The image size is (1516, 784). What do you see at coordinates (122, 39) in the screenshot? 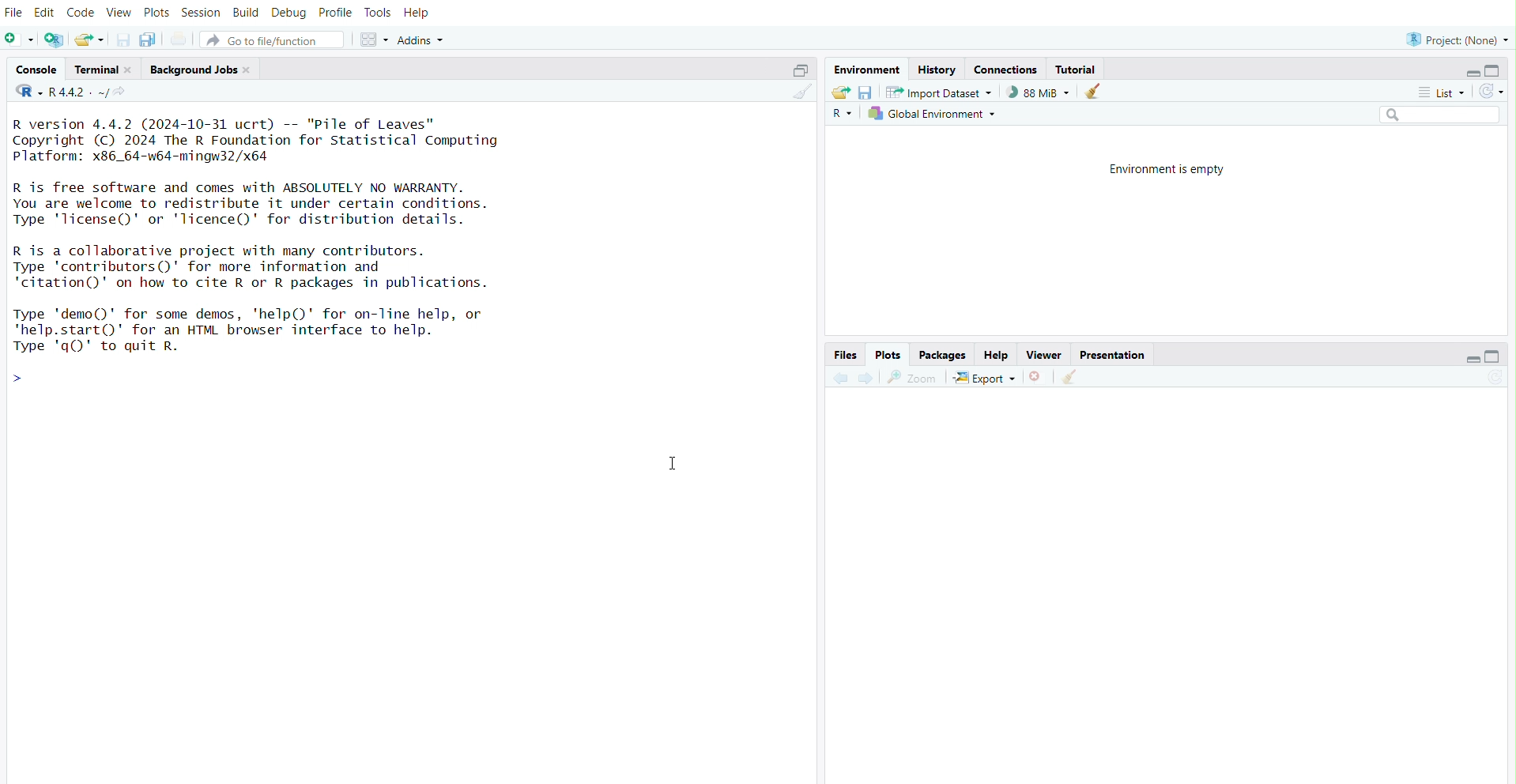
I see `save current document` at bounding box center [122, 39].